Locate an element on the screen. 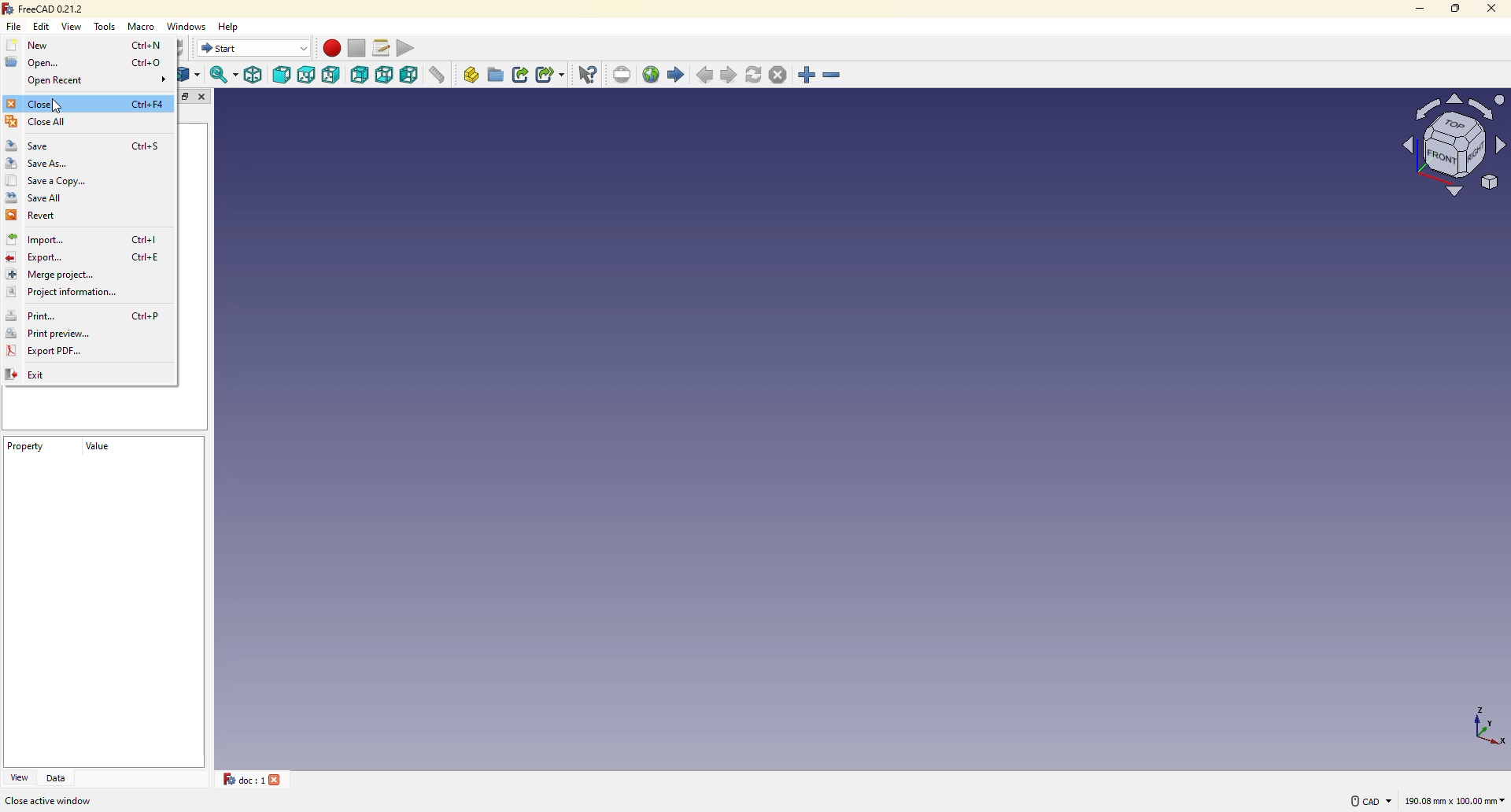 The height and width of the screenshot is (812, 1511). tools is located at coordinates (106, 27).